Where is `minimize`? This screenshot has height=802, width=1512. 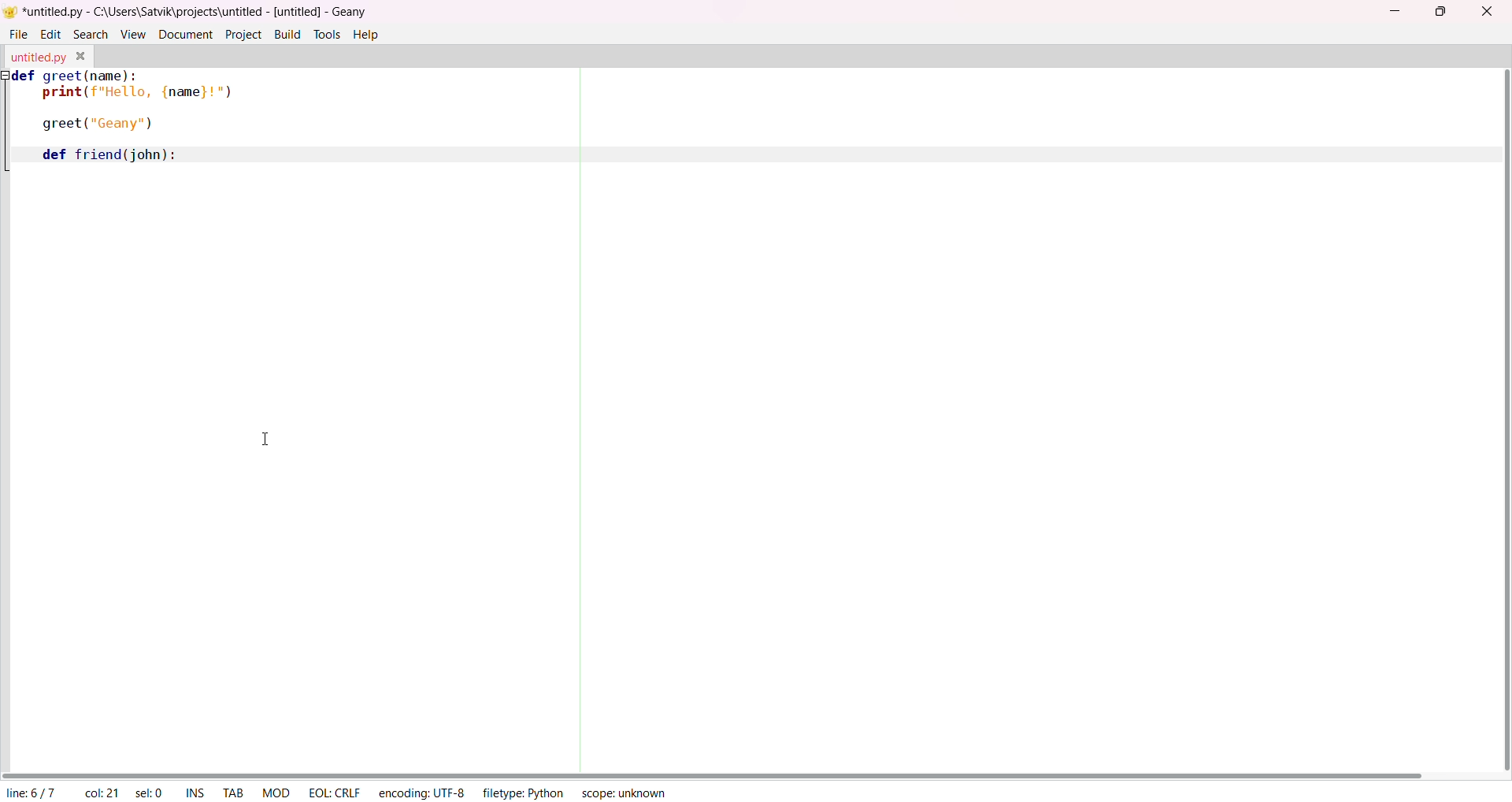
minimize is located at coordinates (1389, 13).